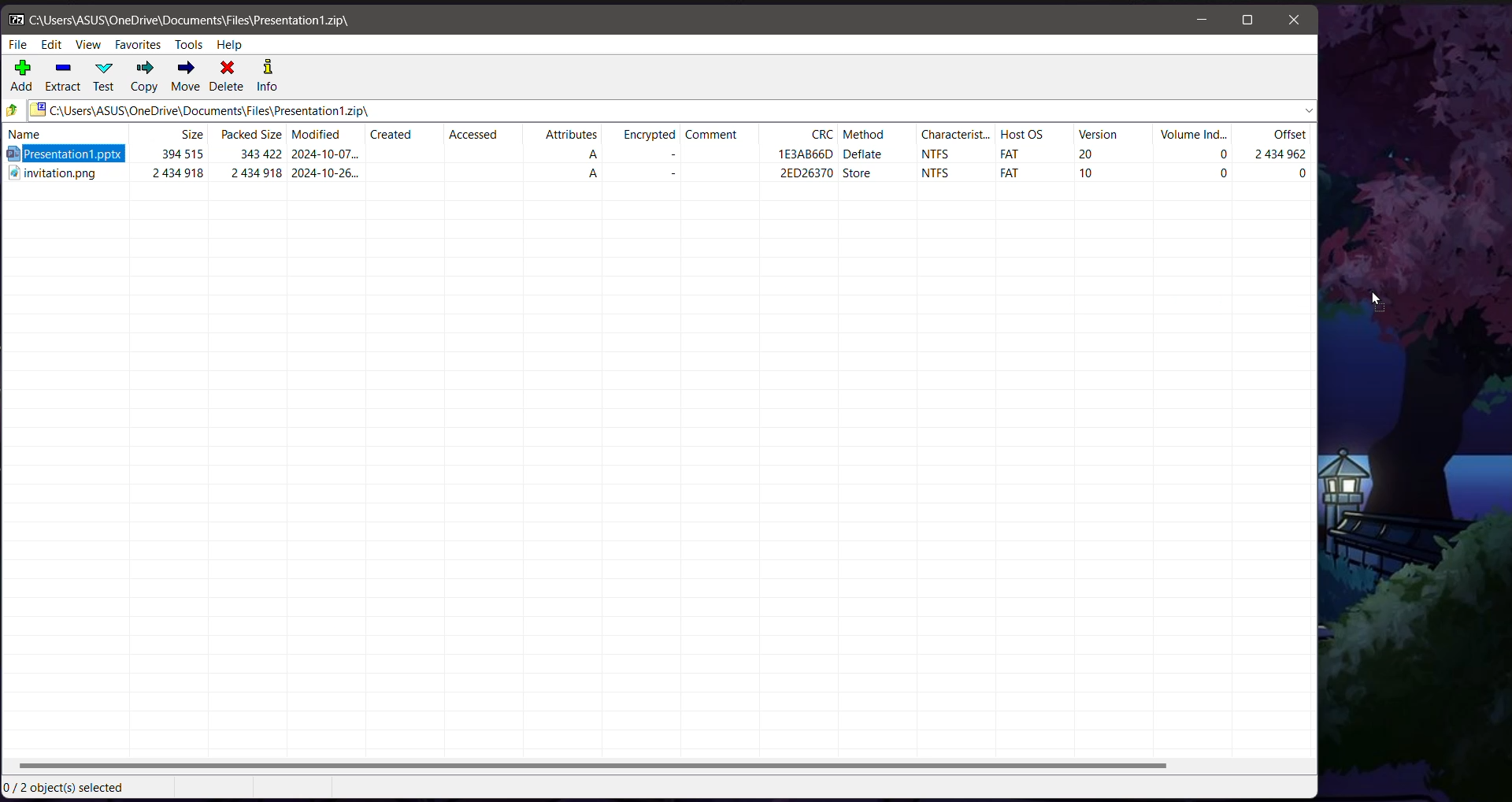 The height and width of the screenshot is (802, 1512). Describe the element at coordinates (249, 136) in the screenshot. I see ` Packed Size` at that location.